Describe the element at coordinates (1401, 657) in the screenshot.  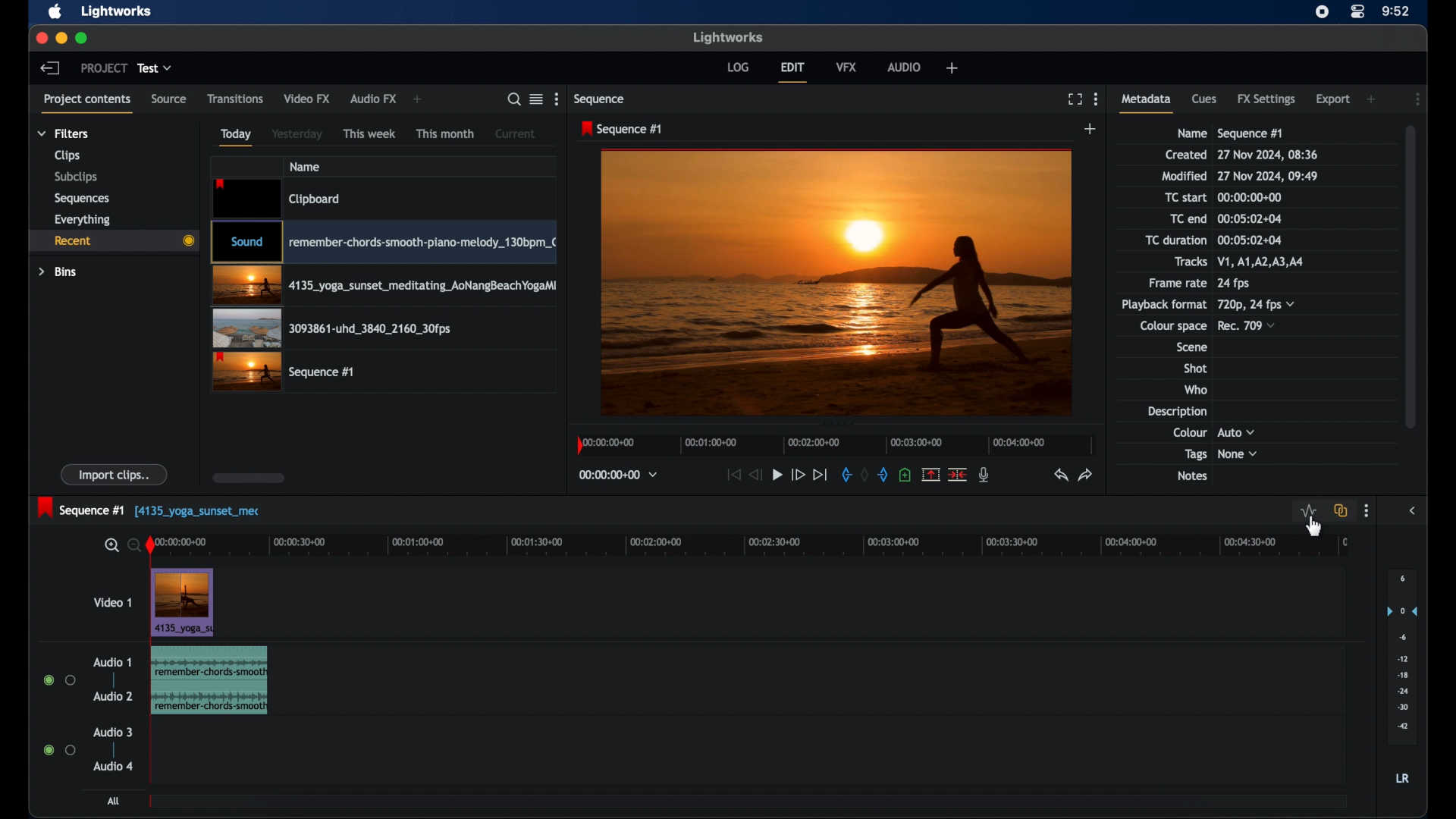
I see `set audio output levels` at that location.